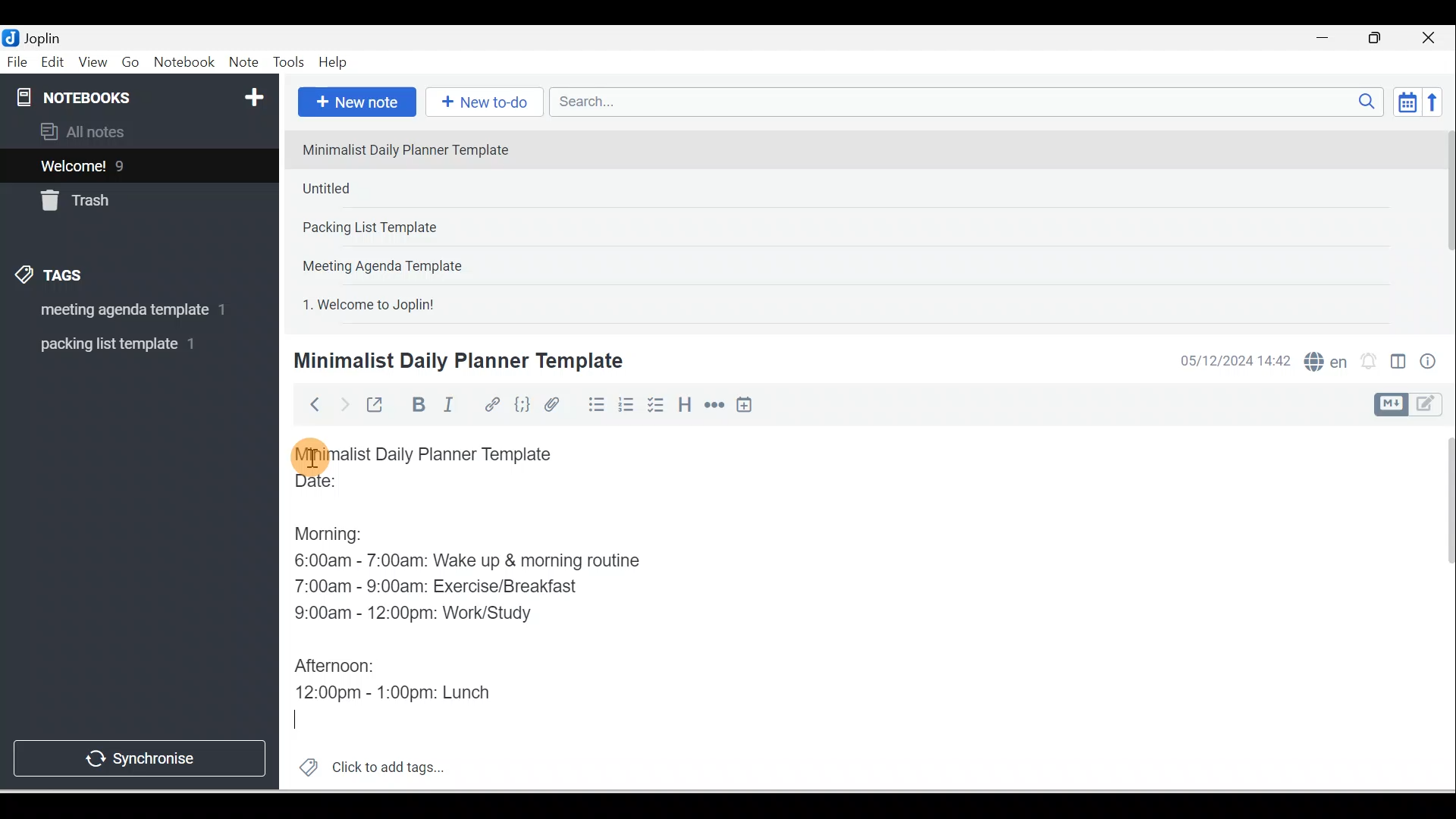 The width and height of the screenshot is (1456, 819). I want to click on Note 4, so click(403, 262).